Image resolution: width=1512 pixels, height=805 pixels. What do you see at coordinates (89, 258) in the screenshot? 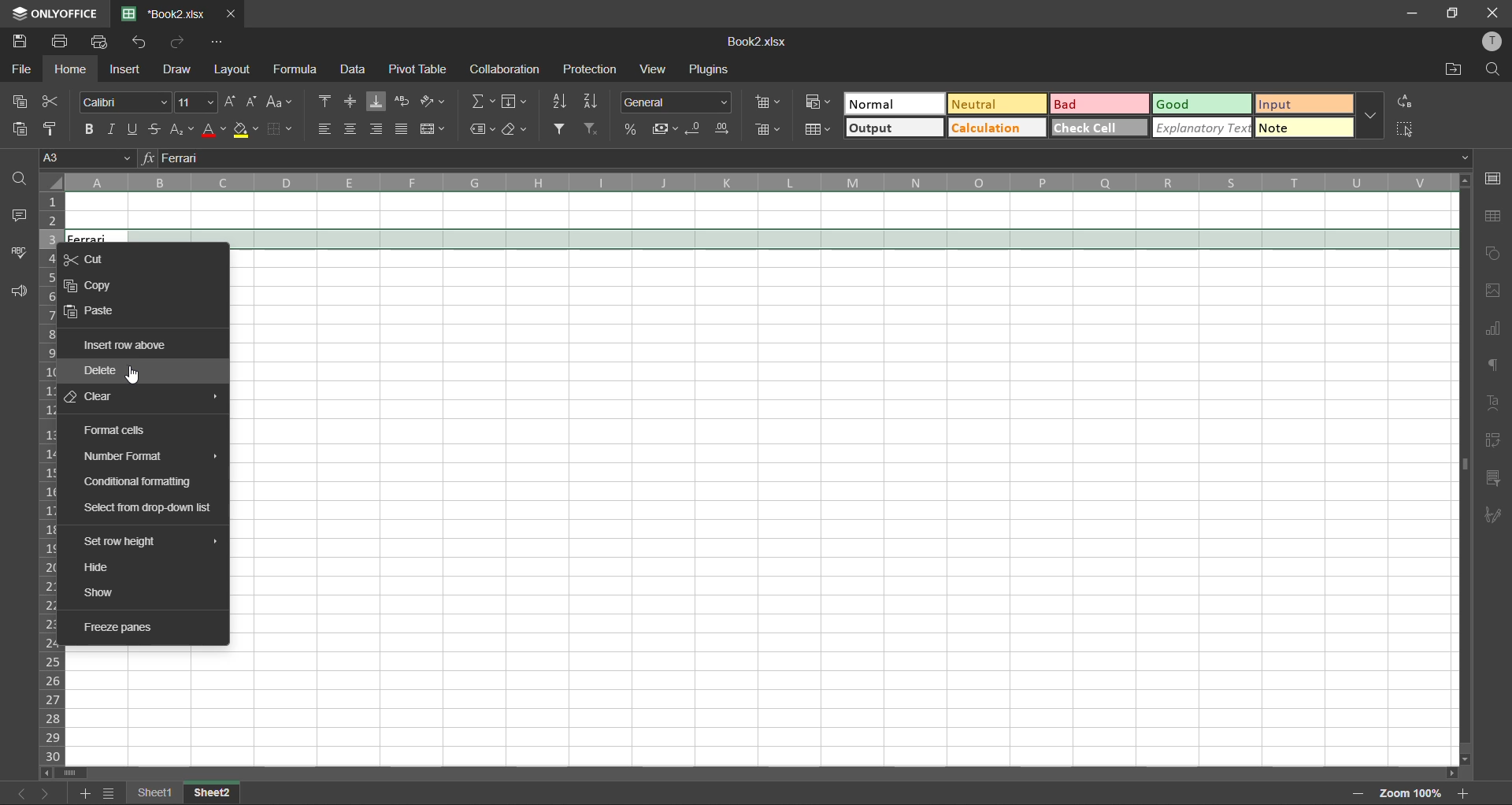
I see `cut` at bounding box center [89, 258].